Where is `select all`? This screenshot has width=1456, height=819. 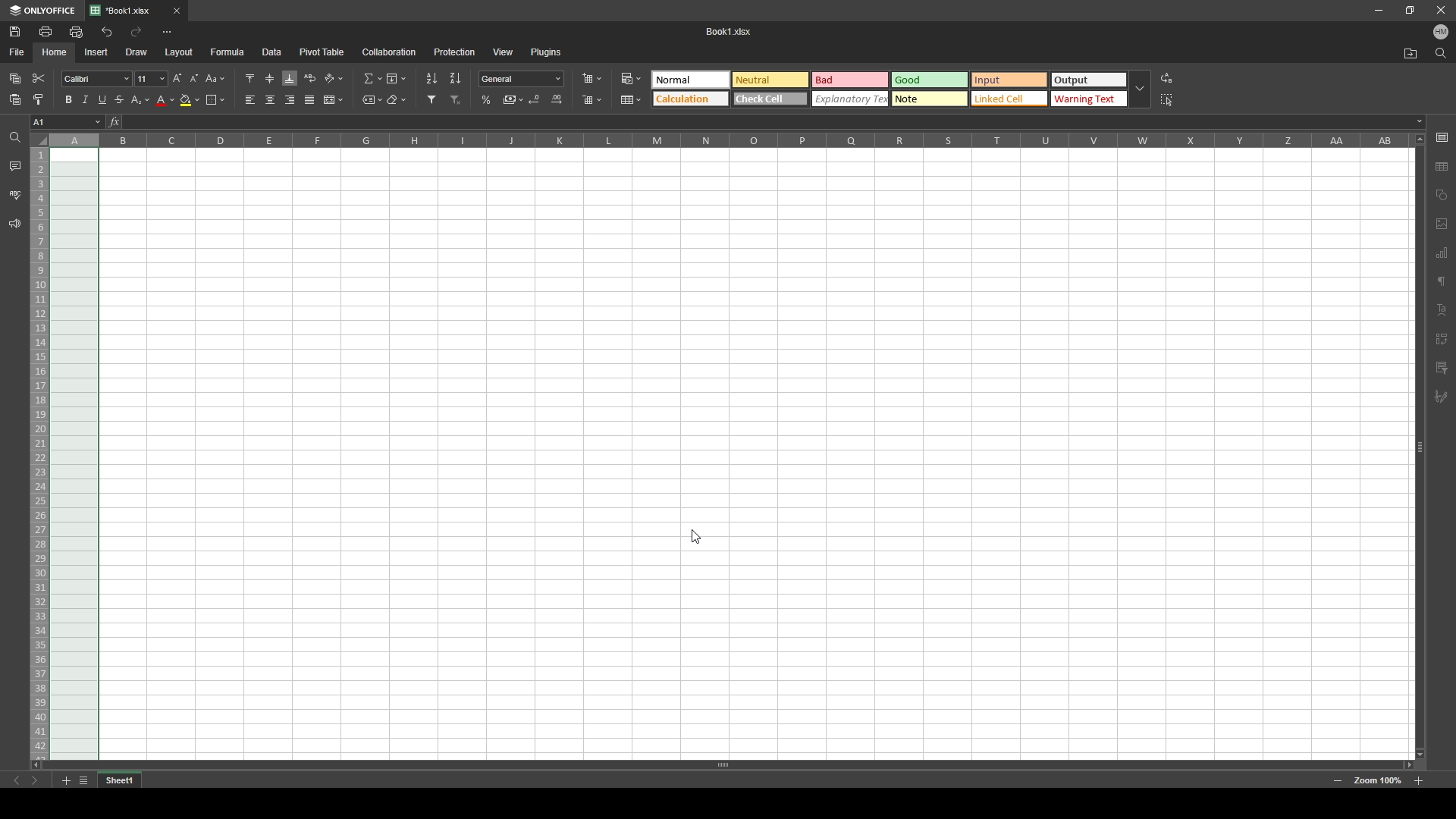
select all is located at coordinates (1169, 99).